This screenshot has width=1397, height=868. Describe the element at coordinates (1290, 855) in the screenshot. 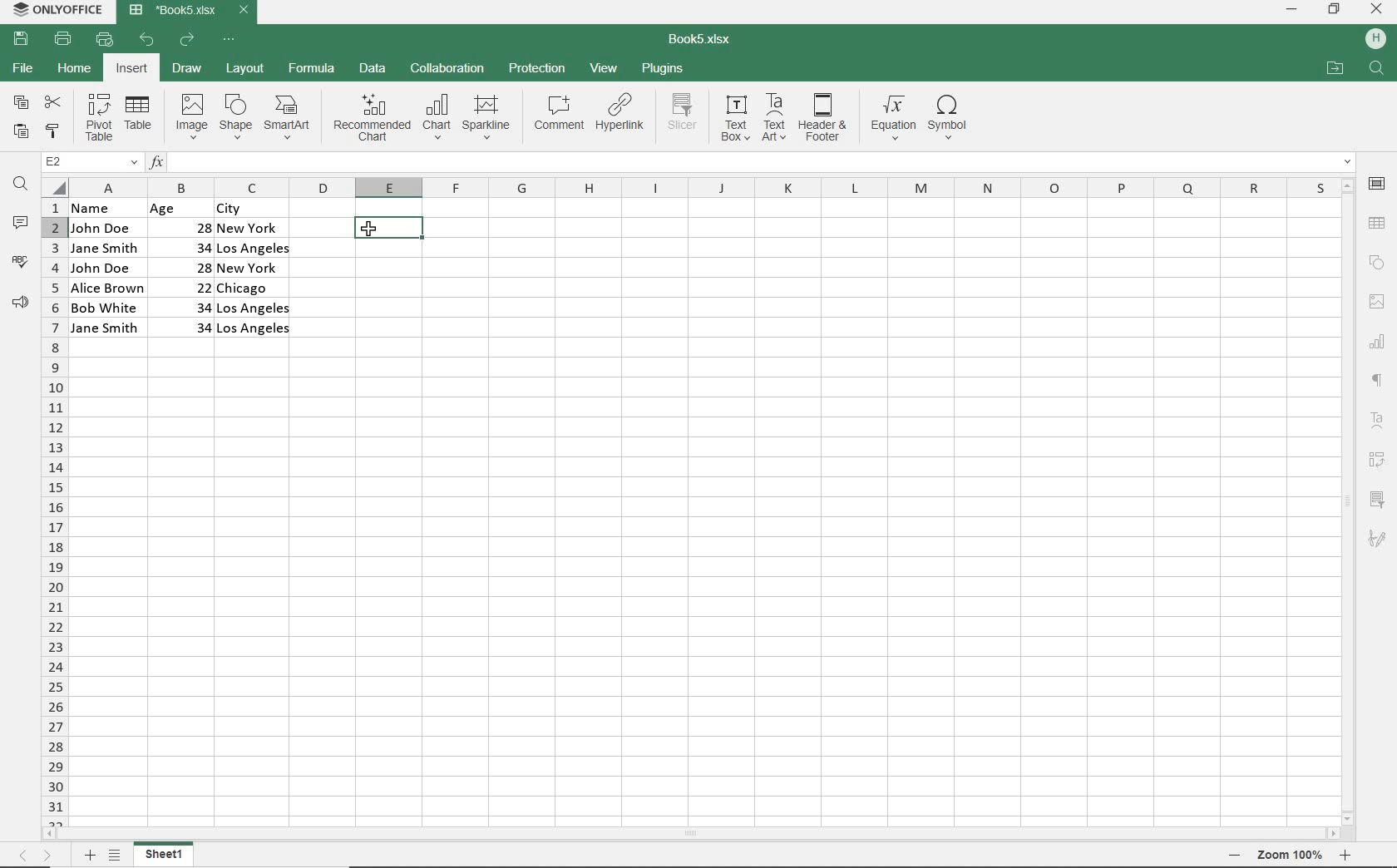

I see `zoom 100%` at that location.